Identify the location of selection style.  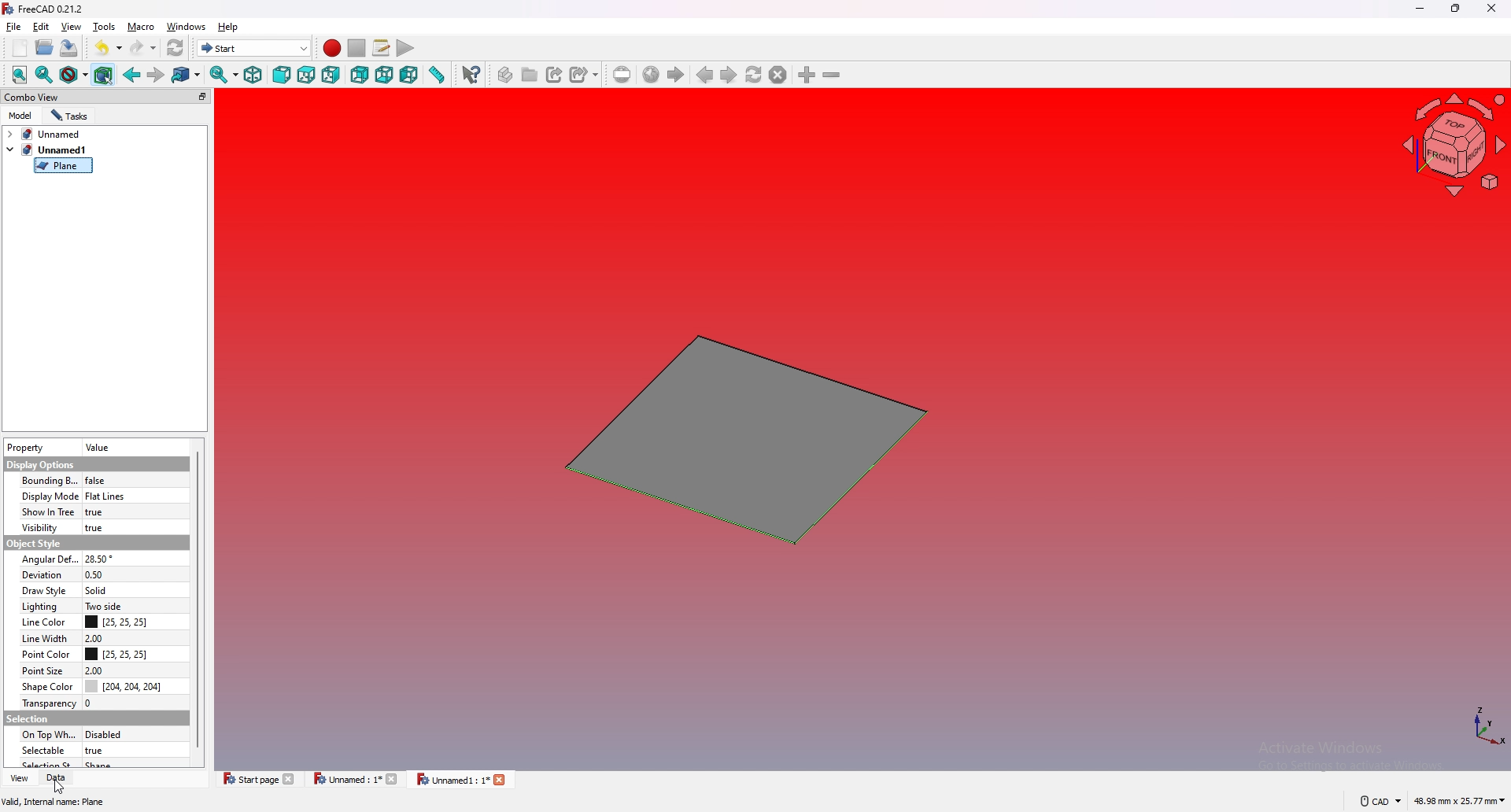
(47, 762).